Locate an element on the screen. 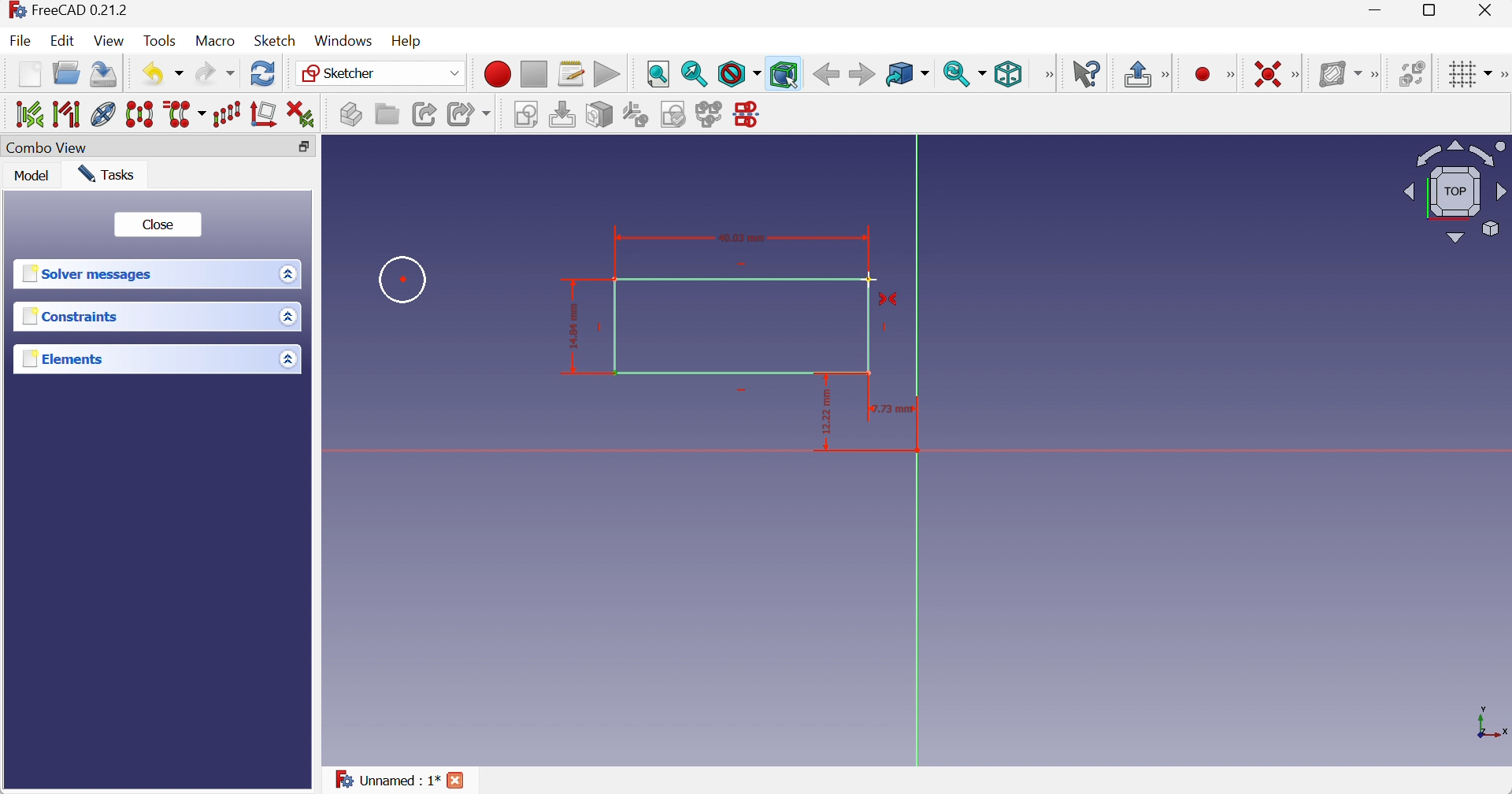 This screenshot has width=1512, height=794. Reorient sketch... is located at coordinates (636, 115).